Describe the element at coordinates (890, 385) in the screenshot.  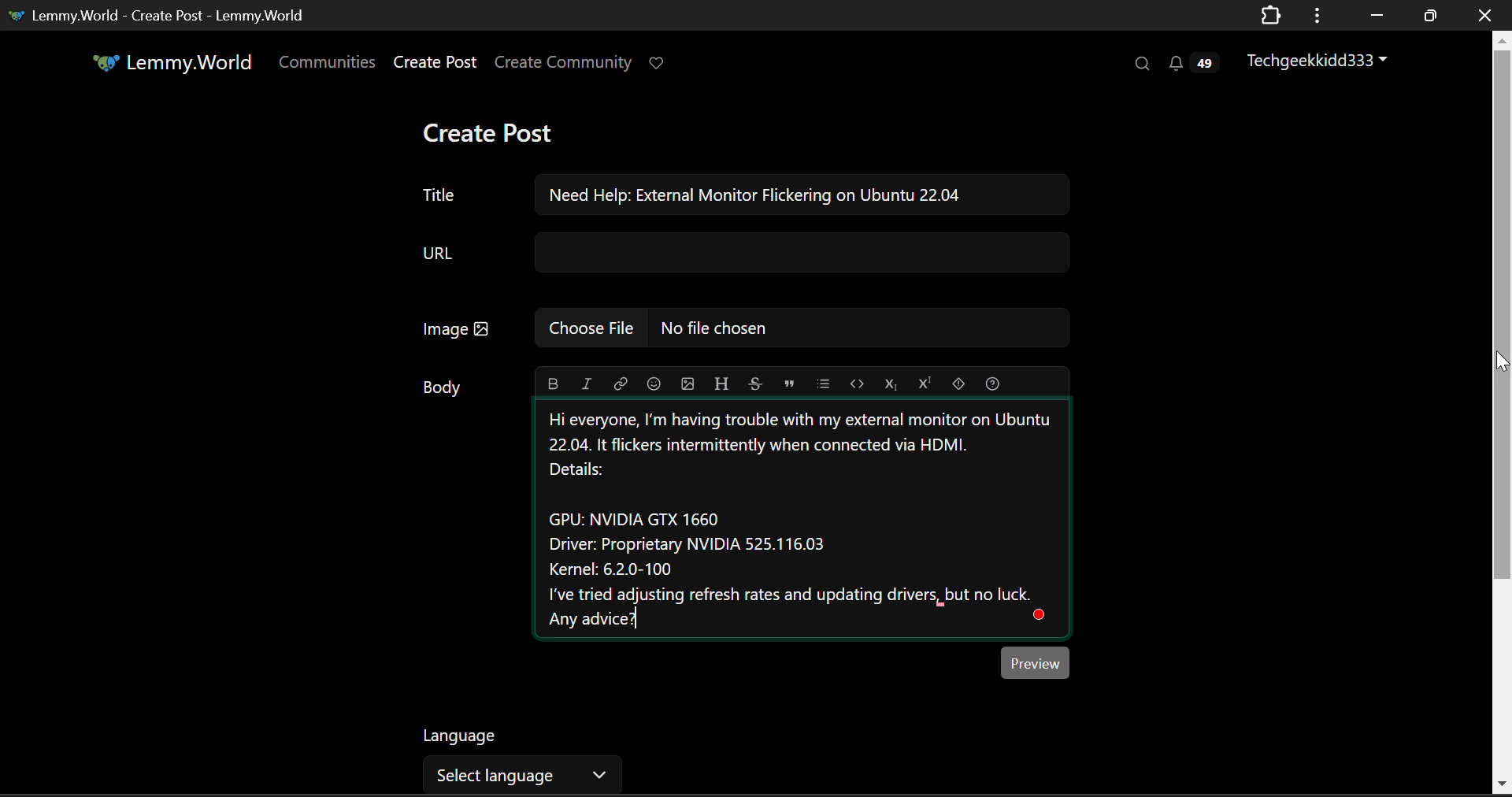
I see `Subscript` at that location.